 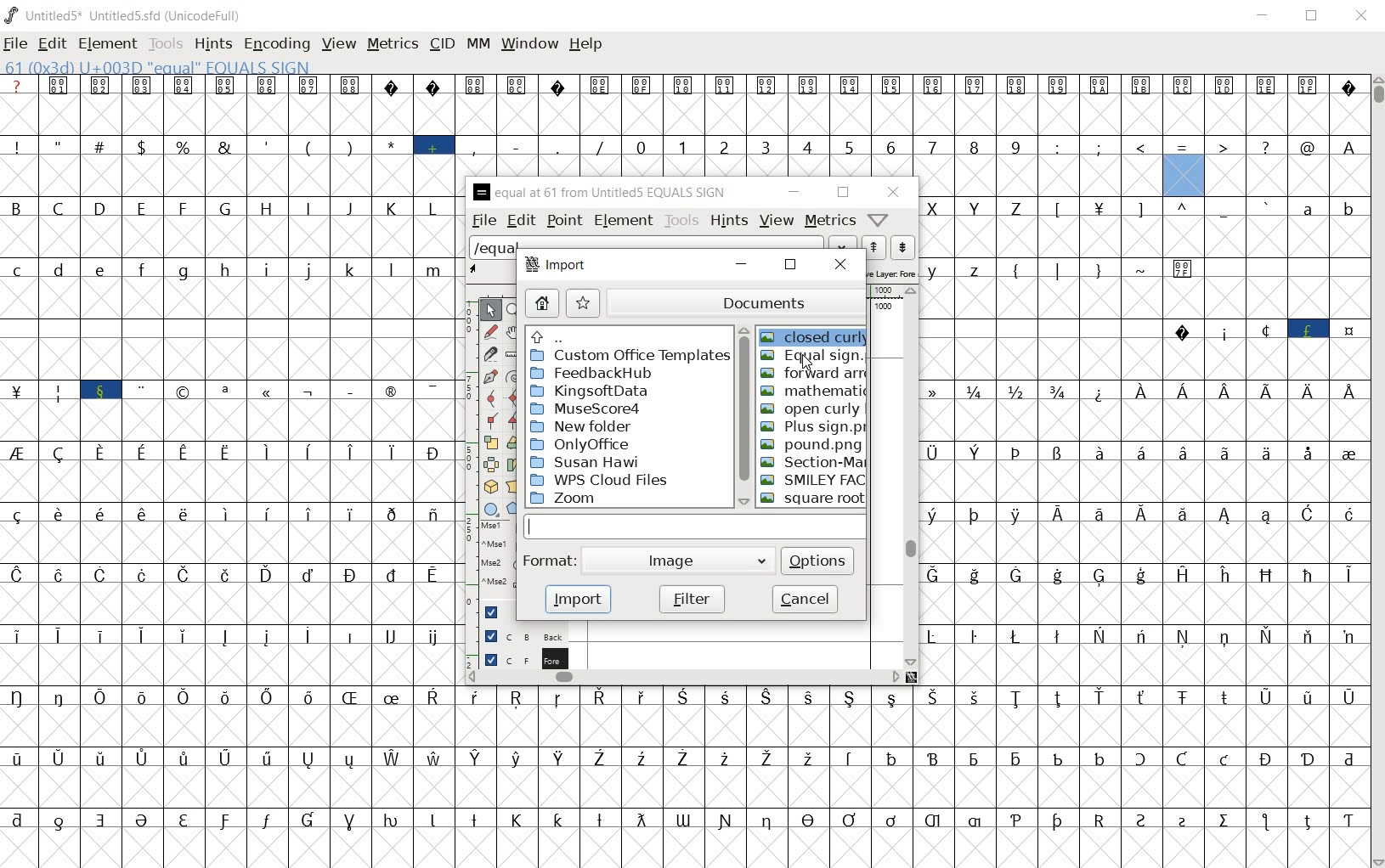 I want to click on file, so click(x=482, y=221).